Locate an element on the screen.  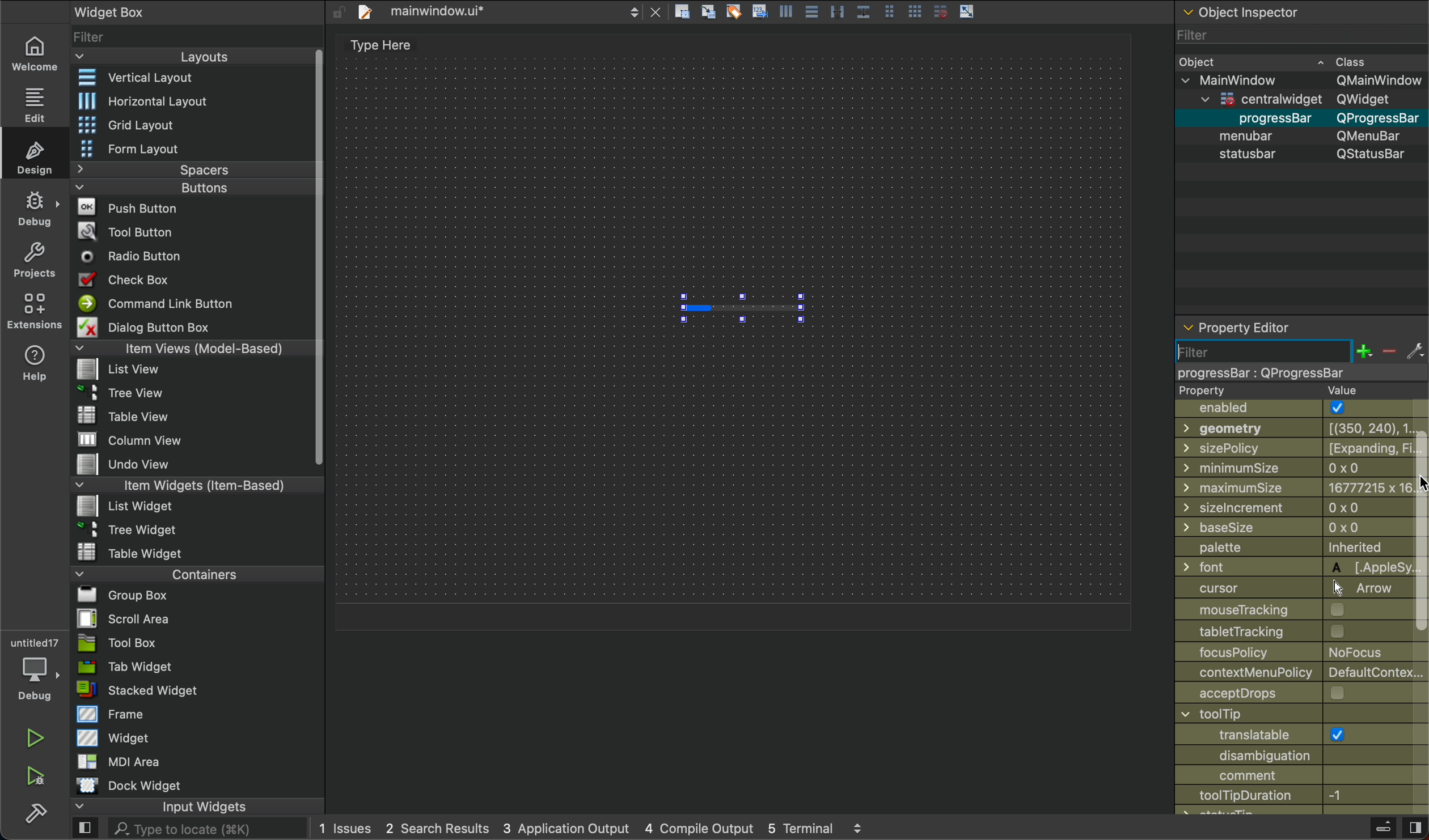
unlock is located at coordinates (338, 12).